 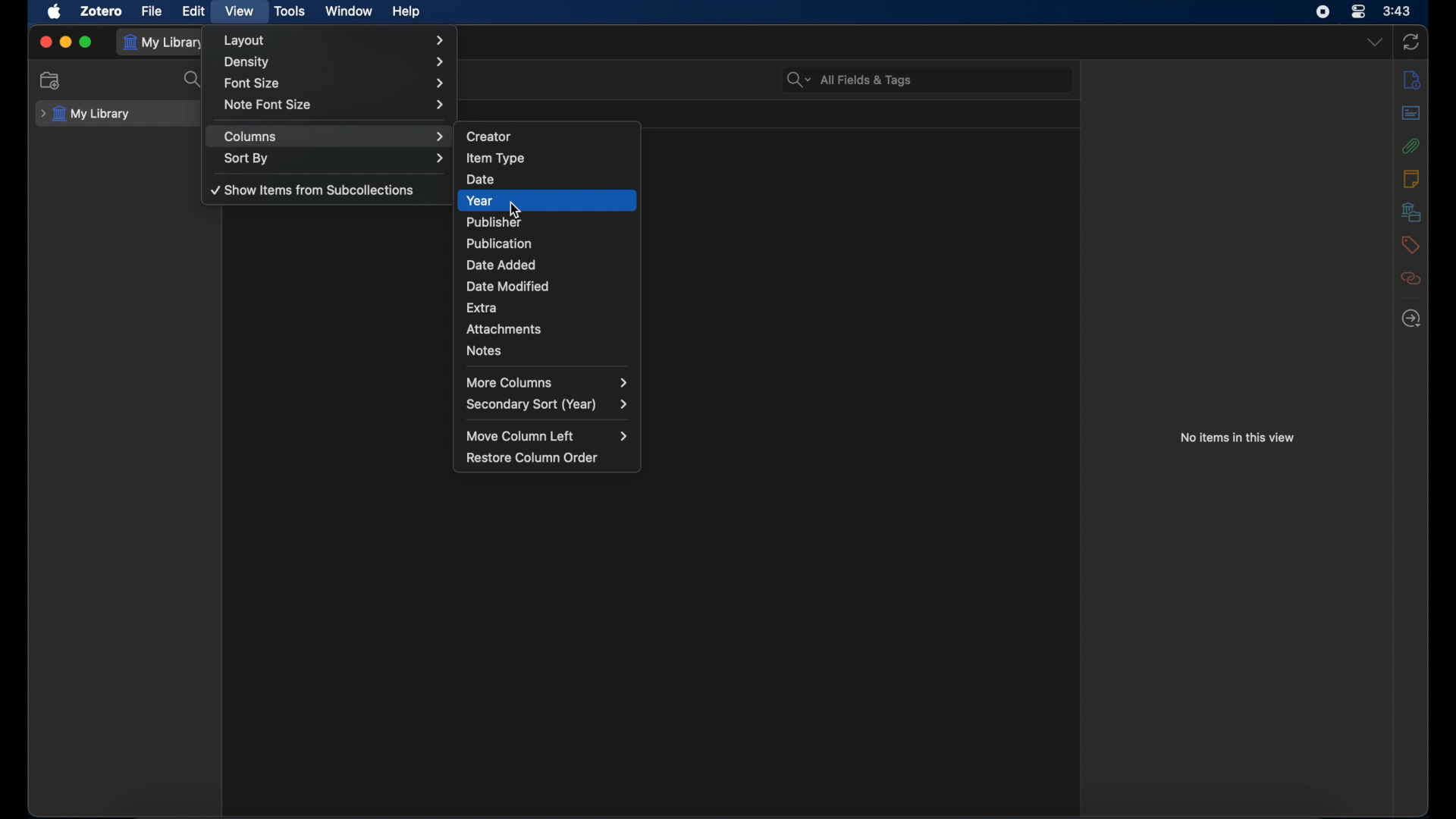 I want to click on restore column order, so click(x=532, y=459).